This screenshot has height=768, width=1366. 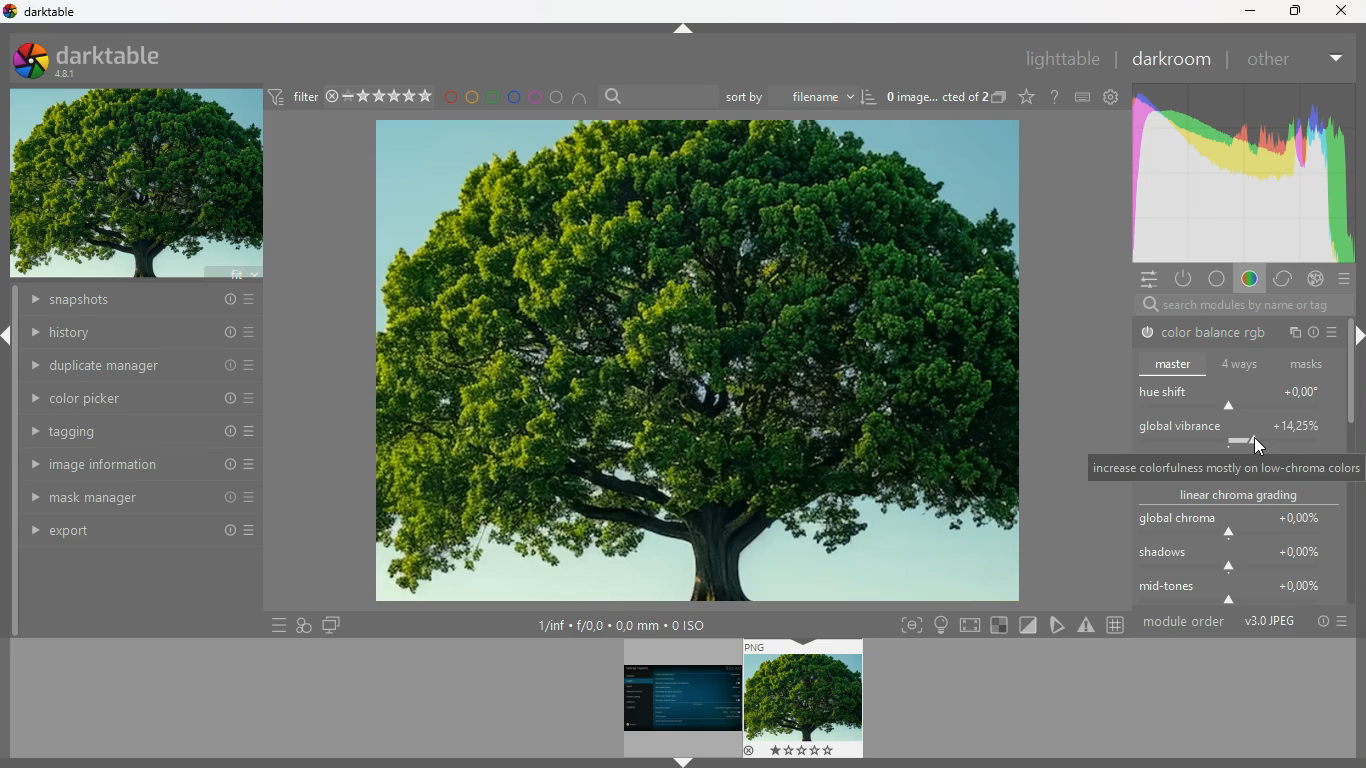 What do you see at coordinates (1110, 96) in the screenshot?
I see `settings` at bounding box center [1110, 96].